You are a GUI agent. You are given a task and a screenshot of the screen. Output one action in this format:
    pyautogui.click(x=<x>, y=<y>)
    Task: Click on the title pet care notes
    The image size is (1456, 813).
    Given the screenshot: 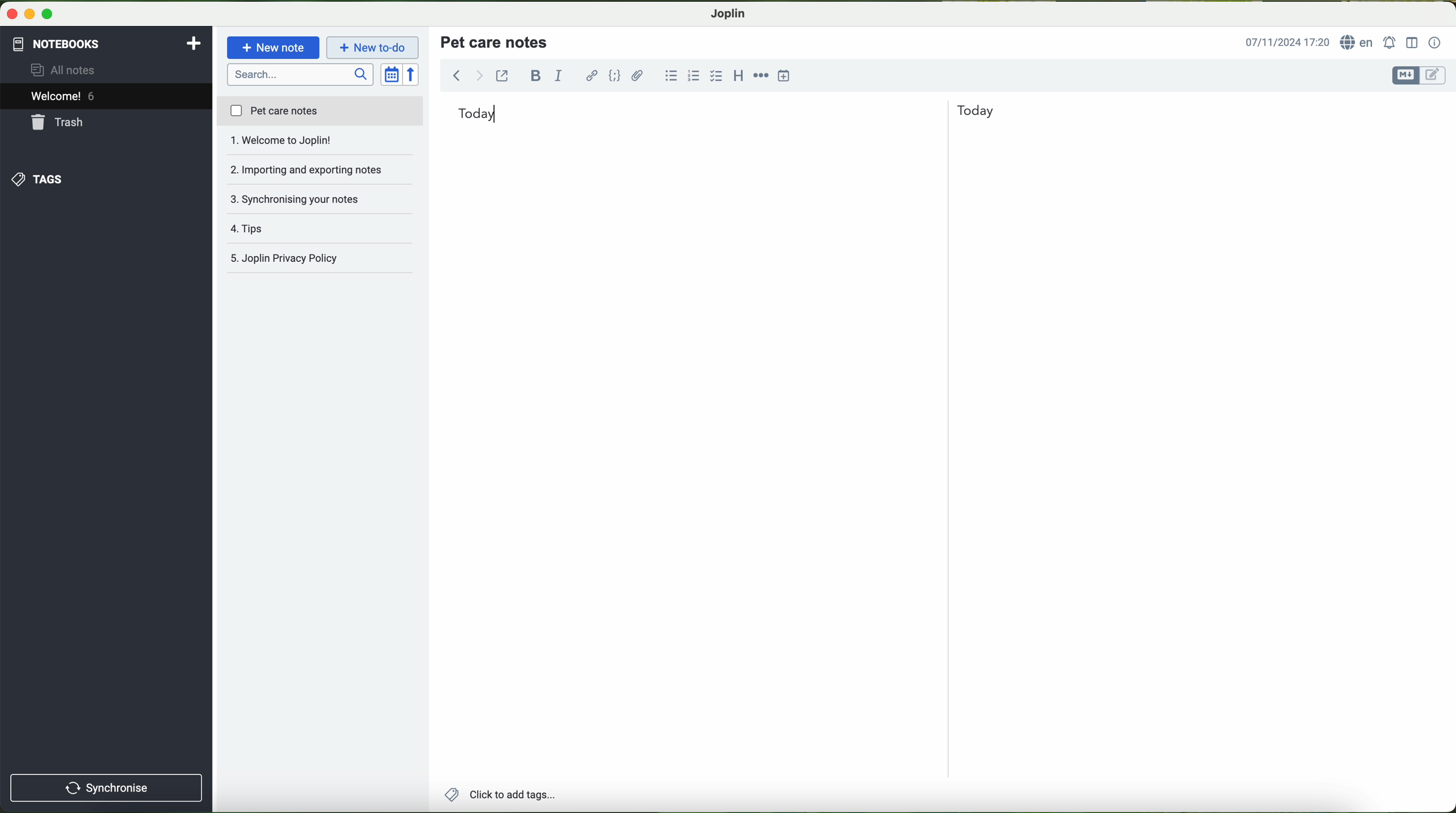 What is the action you would take?
    pyautogui.click(x=496, y=41)
    